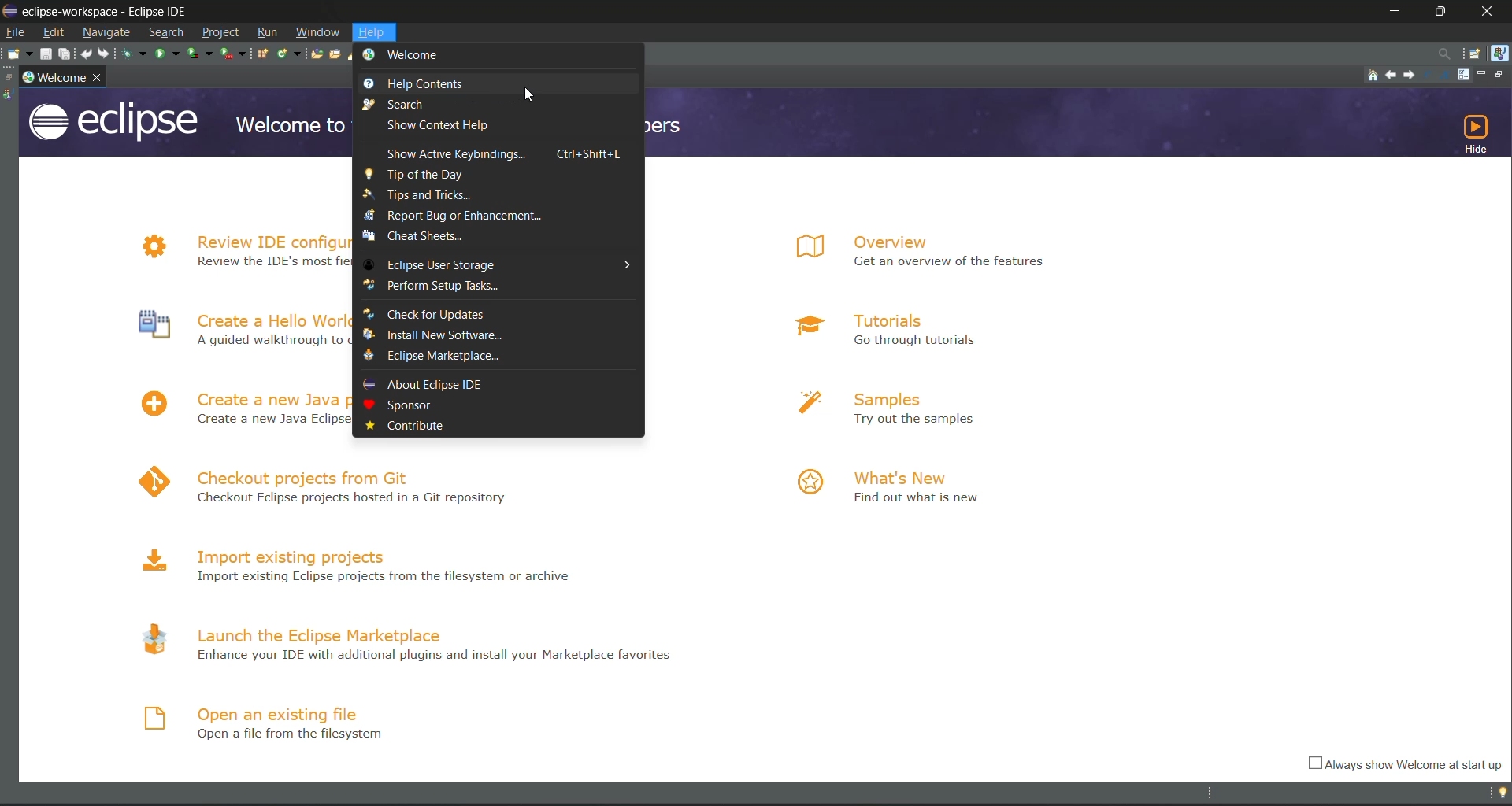 The width and height of the screenshot is (1512, 806). I want to click on restore, so click(9, 76).